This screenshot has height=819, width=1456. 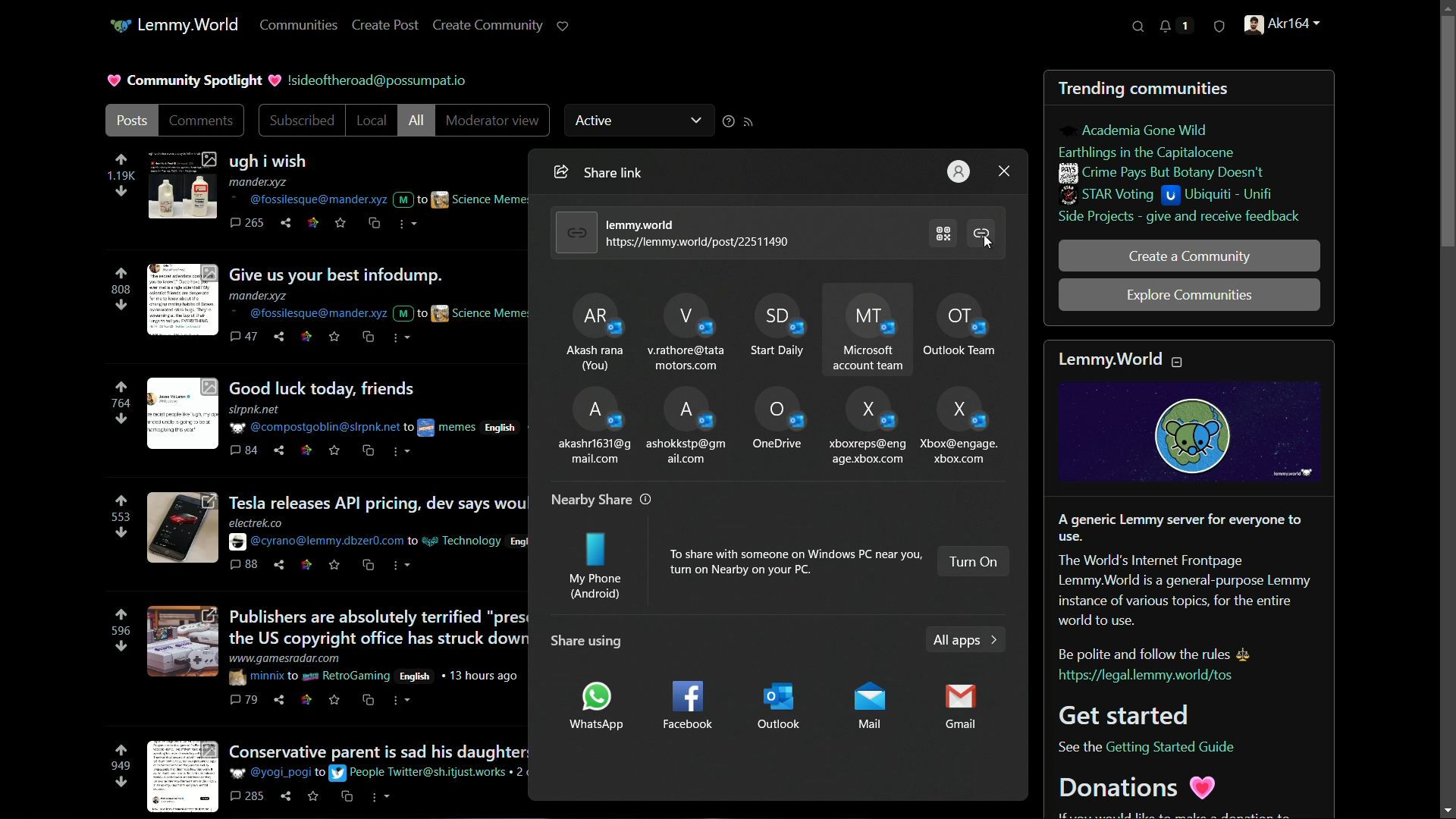 What do you see at coordinates (262, 183) in the screenshot?
I see `mander.xyz` at bounding box center [262, 183].